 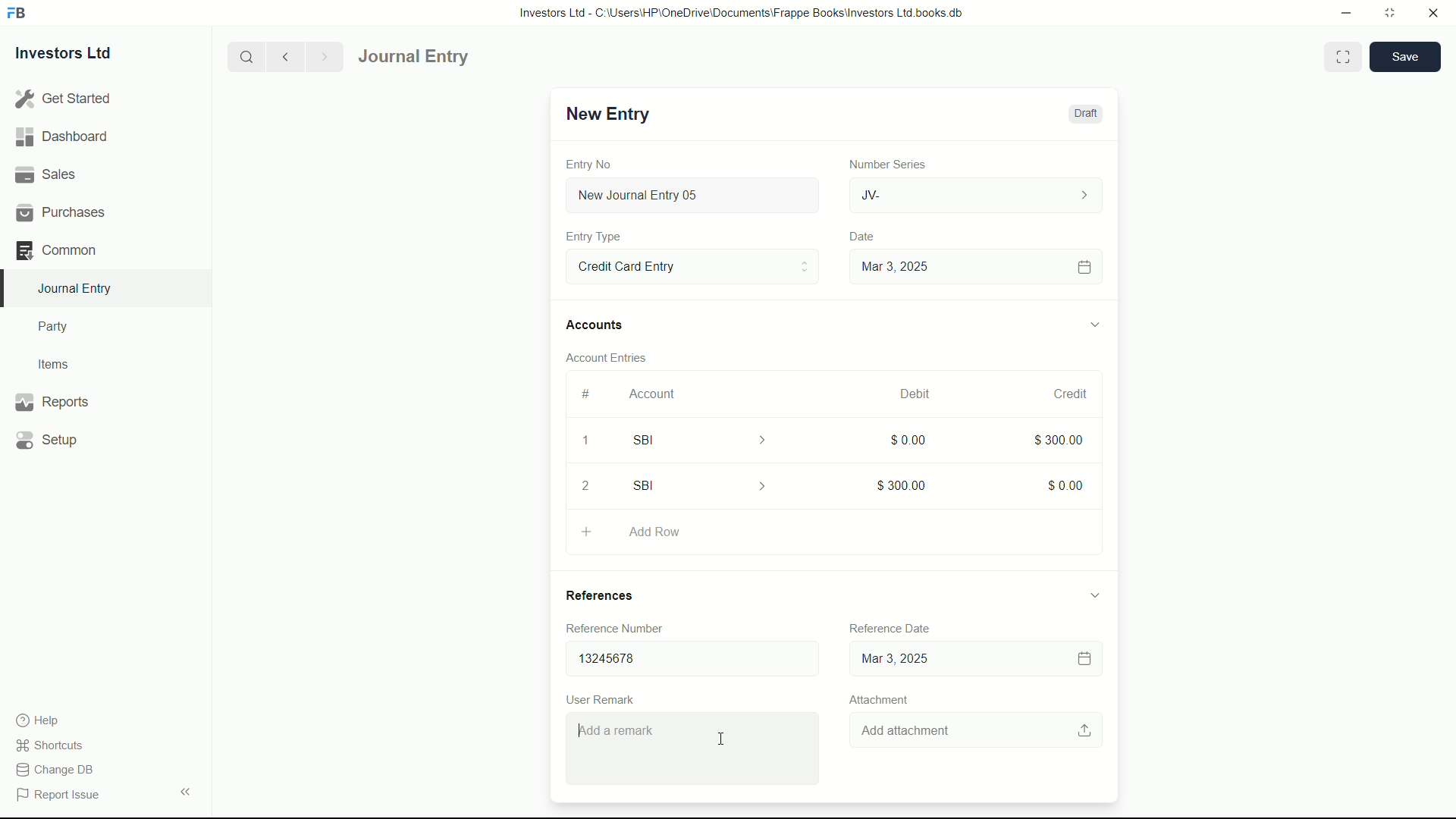 I want to click on #, so click(x=587, y=394).